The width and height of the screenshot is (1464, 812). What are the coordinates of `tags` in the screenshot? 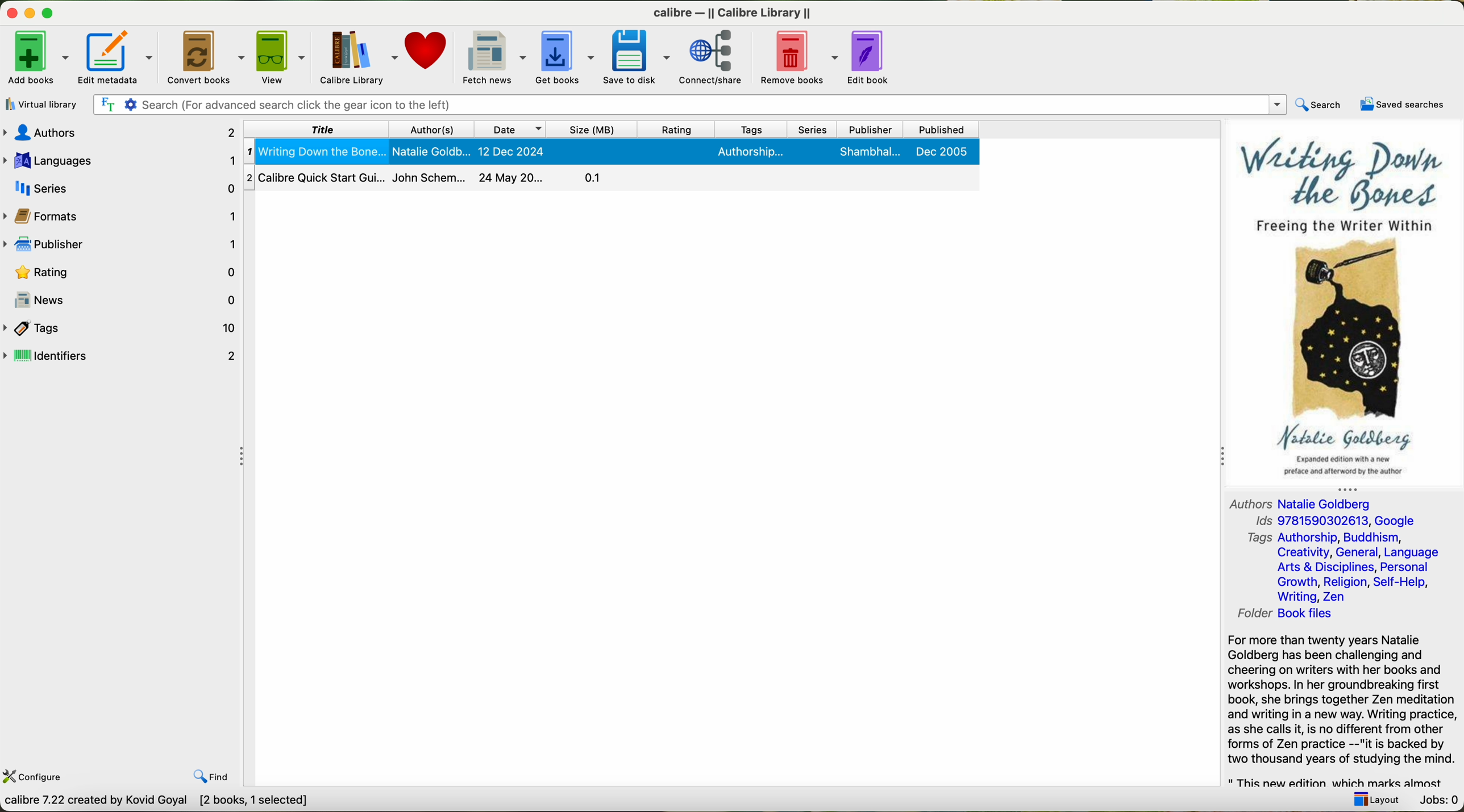 It's located at (1343, 567).